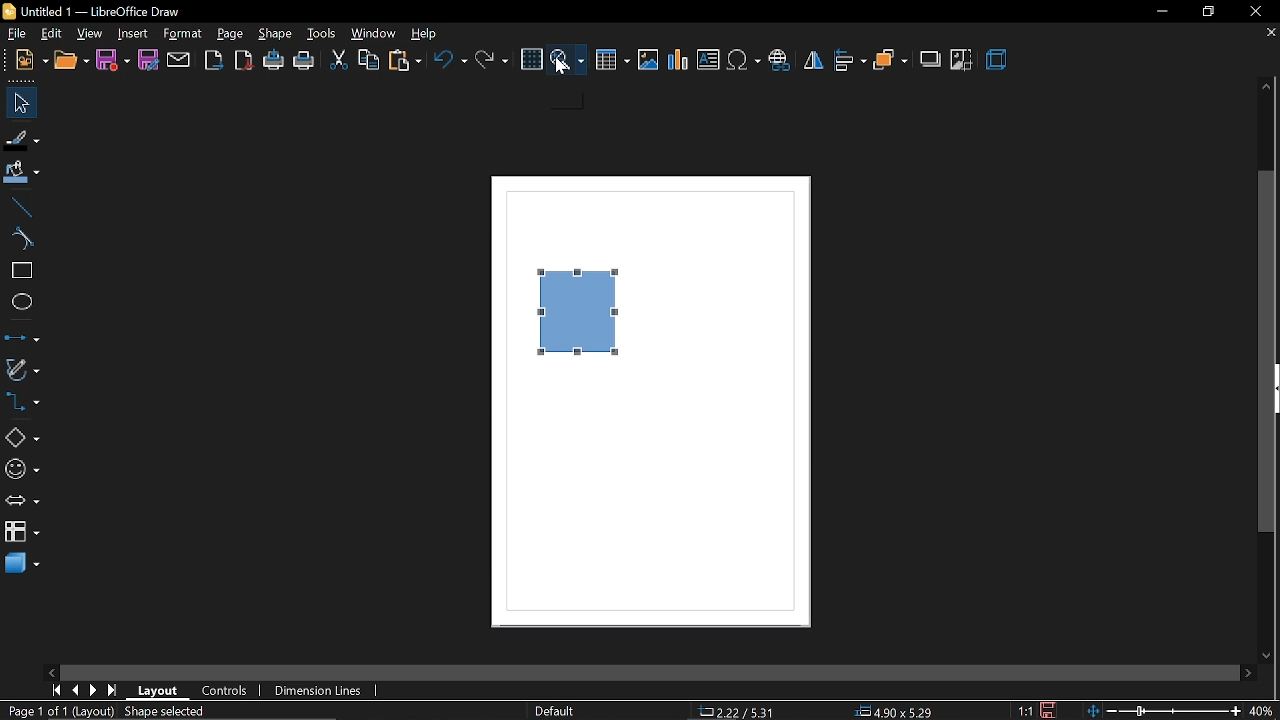 The image size is (1280, 720). What do you see at coordinates (567, 60) in the screenshot?
I see `zoom` at bounding box center [567, 60].